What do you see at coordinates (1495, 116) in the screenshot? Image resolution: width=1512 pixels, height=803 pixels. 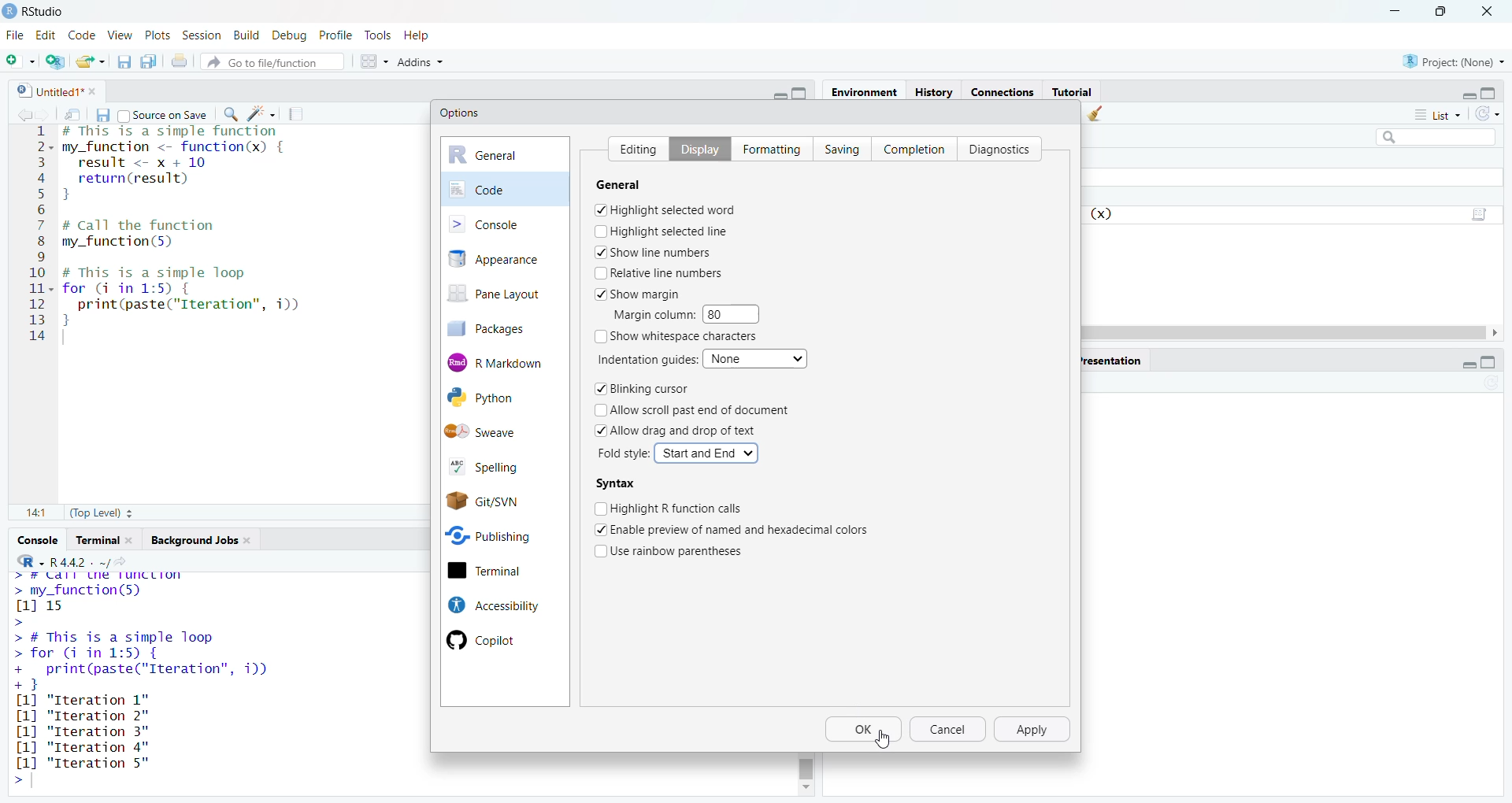 I see `refresh the list of objects in the environment` at bounding box center [1495, 116].